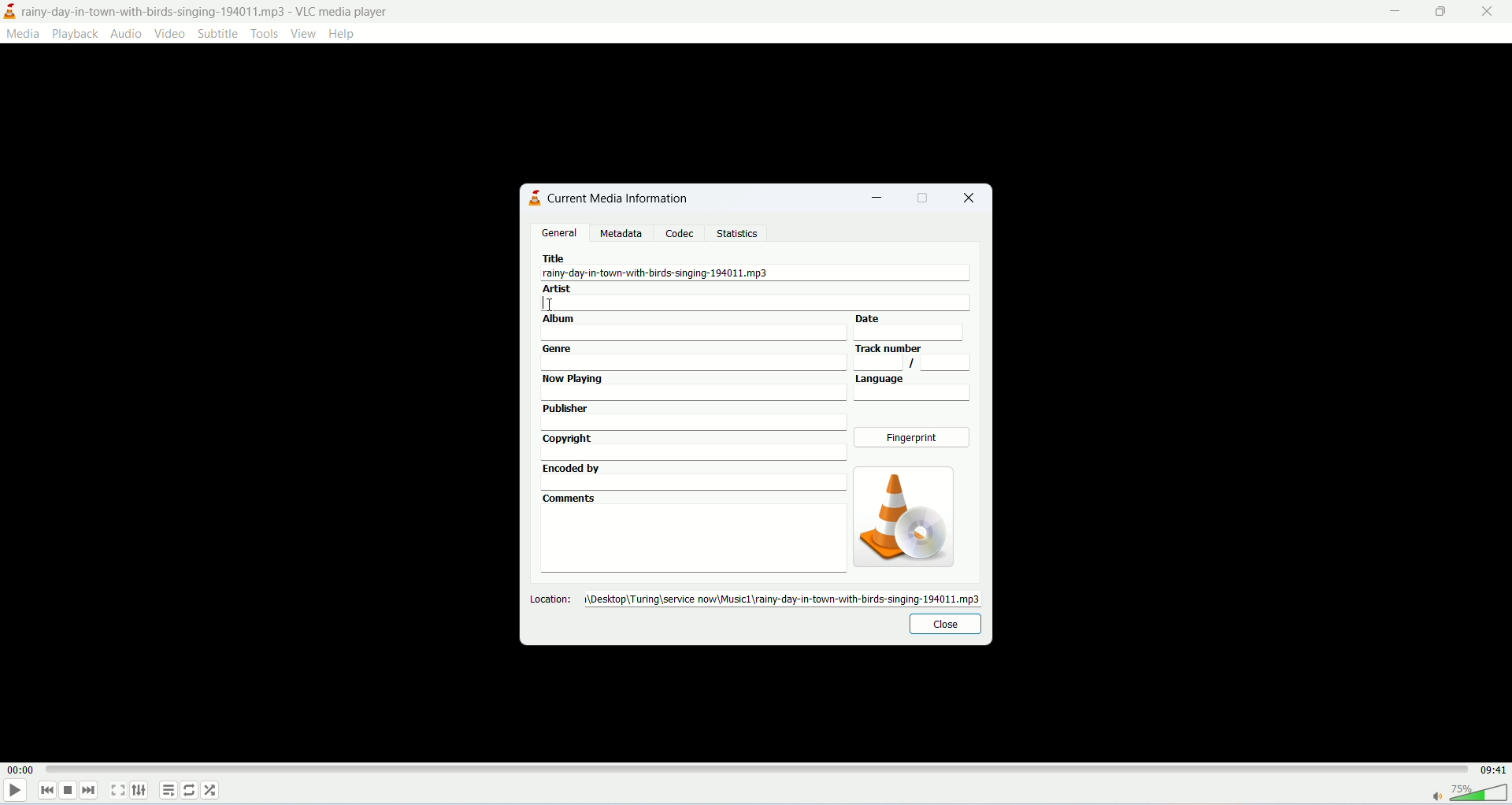 The image size is (1512, 805). Describe the element at coordinates (692, 357) in the screenshot. I see `genre` at that location.